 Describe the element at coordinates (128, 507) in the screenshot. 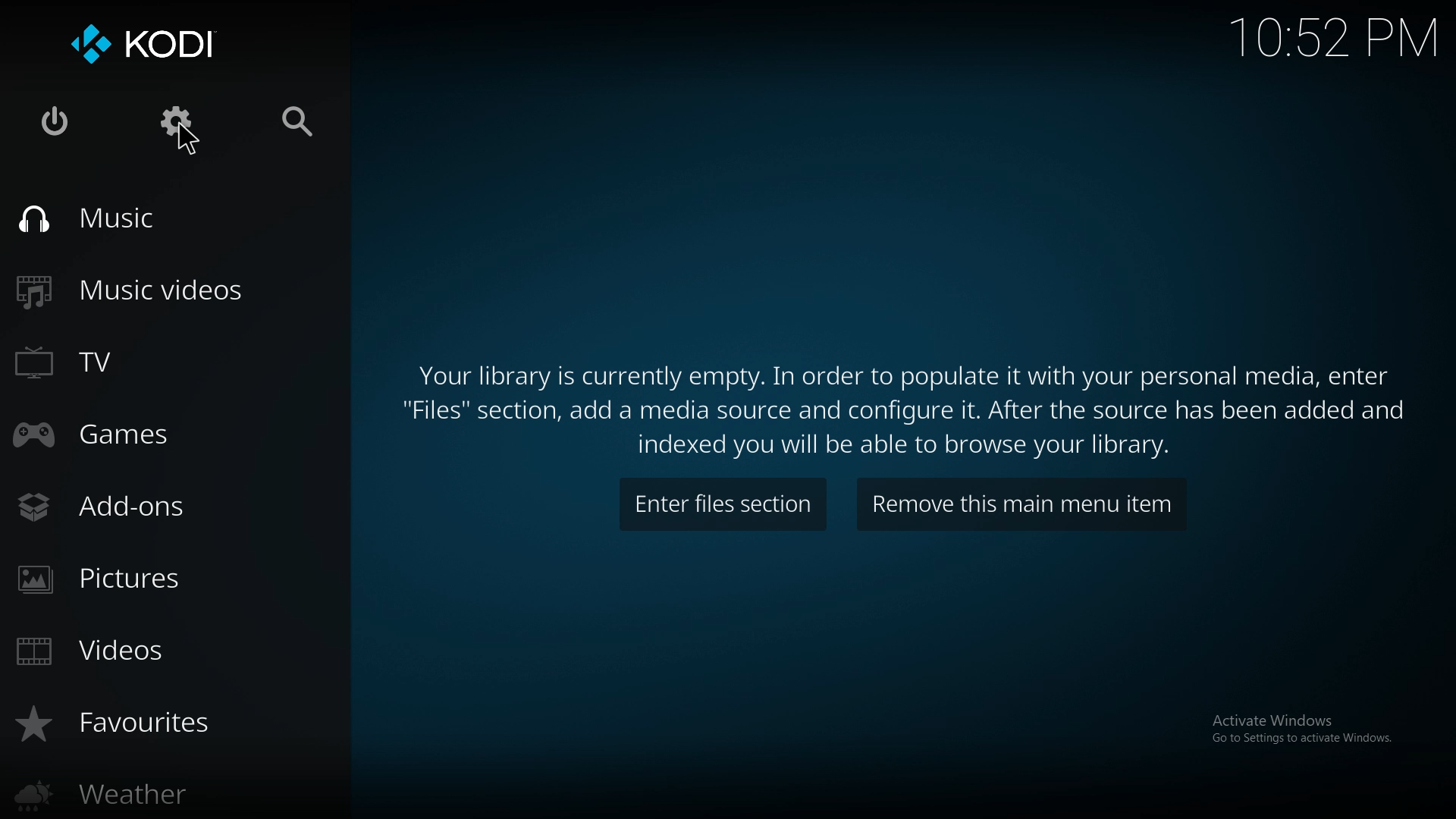

I see `add ons` at that location.